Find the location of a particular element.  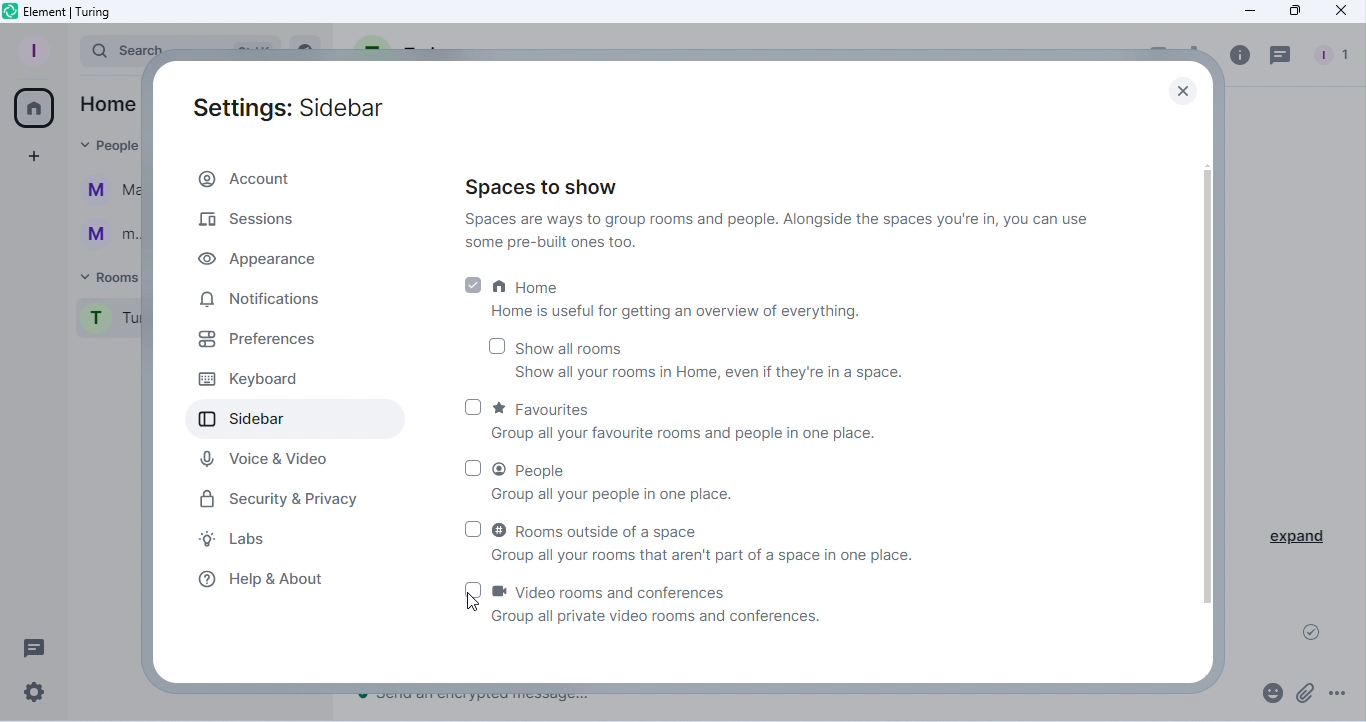

Room info is located at coordinates (1239, 58).